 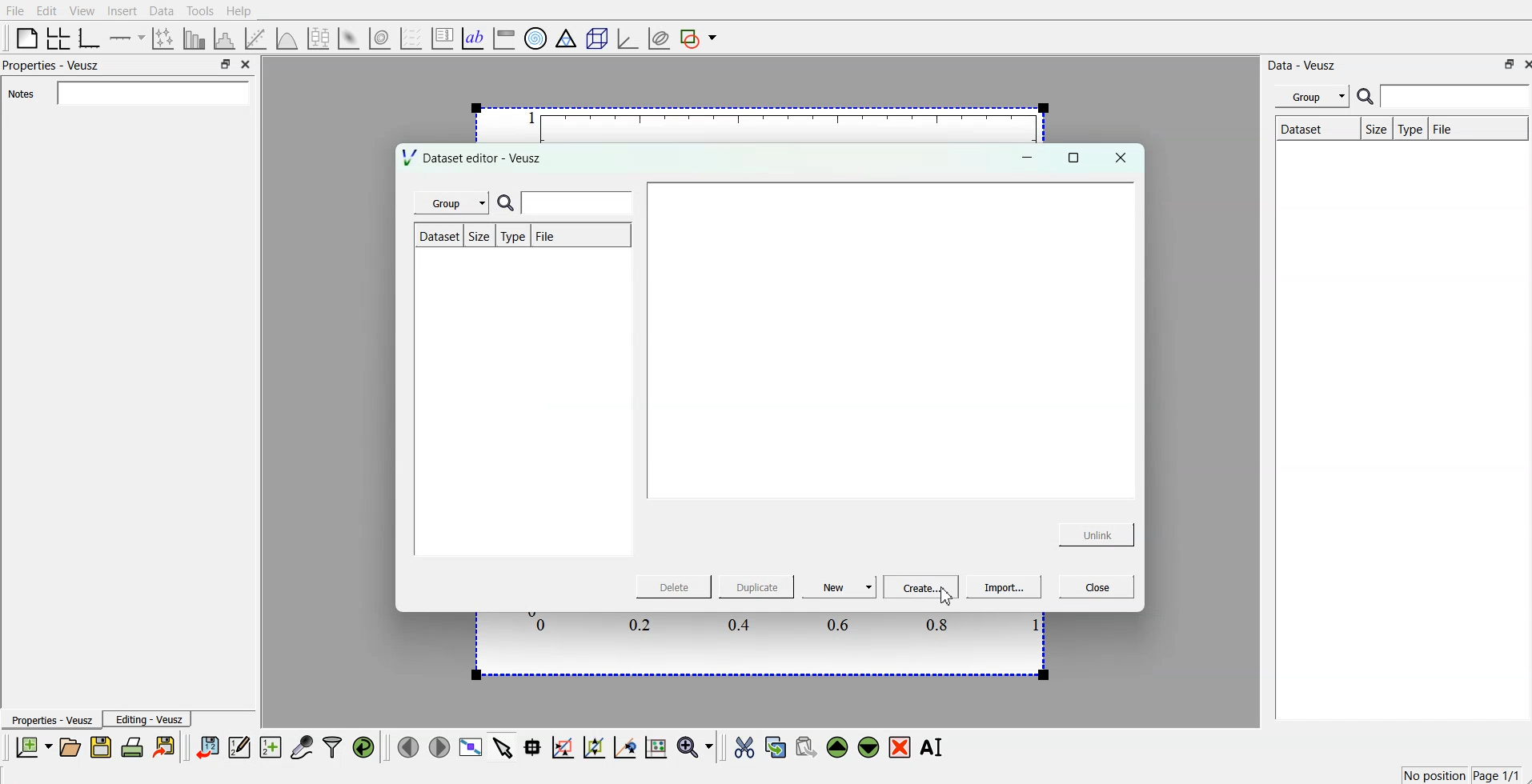 What do you see at coordinates (1120, 158) in the screenshot?
I see `close` at bounding box center [1120, 158].